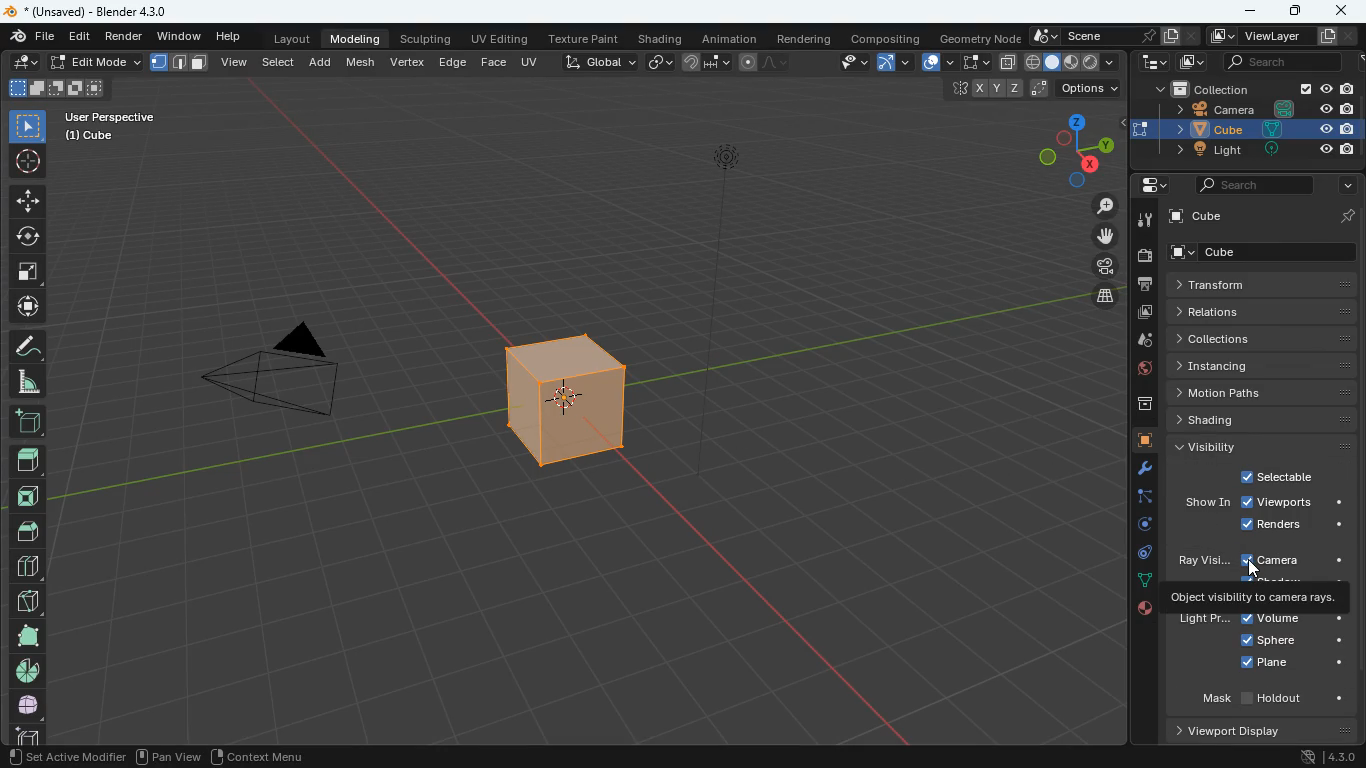 The image size is (1366, 768). Describe the element at coordinates (177, 37) in the screenshot. I see `window` at that location.